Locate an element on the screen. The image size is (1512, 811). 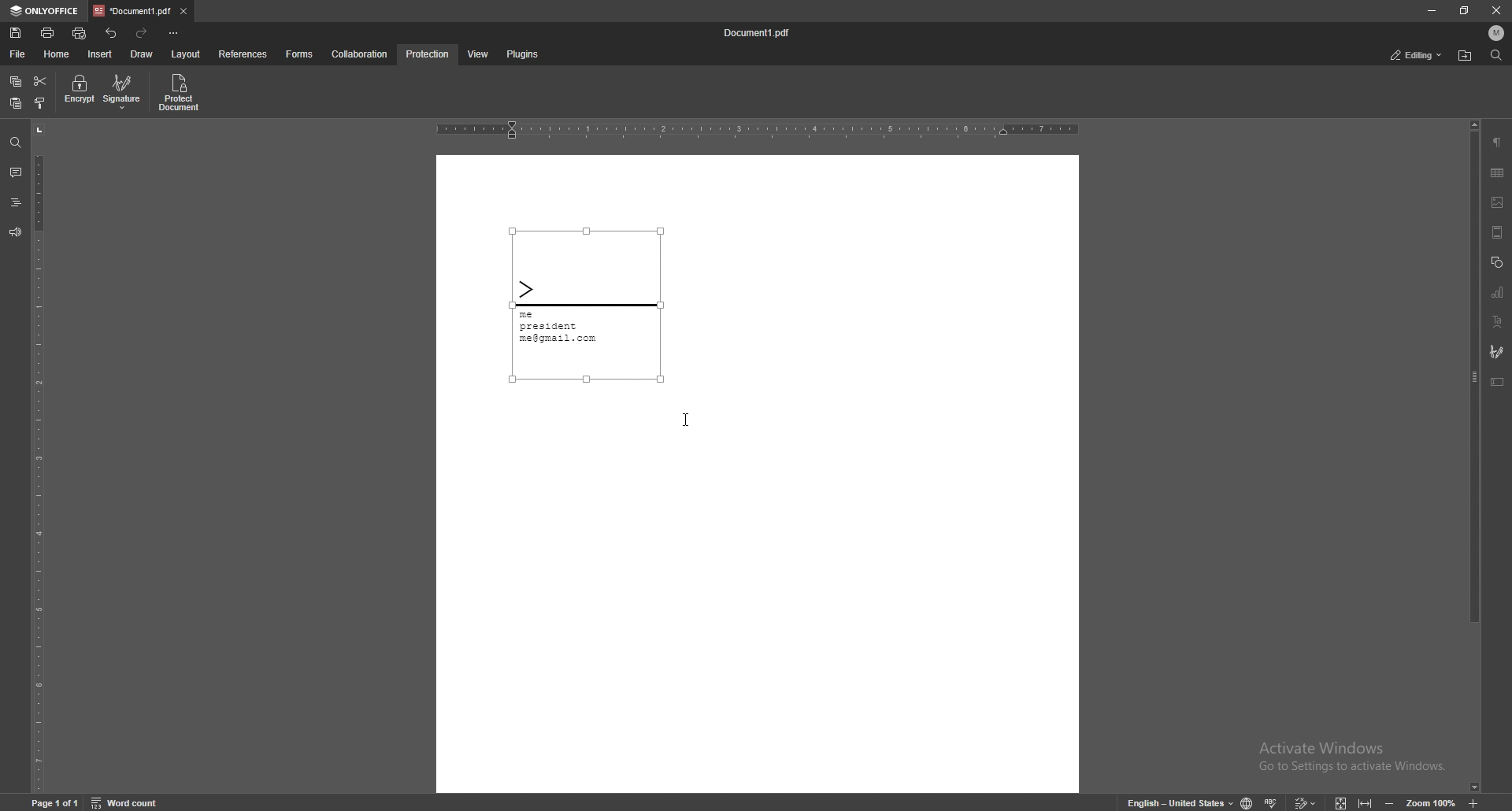
draw is located at coordinates (142, 54).